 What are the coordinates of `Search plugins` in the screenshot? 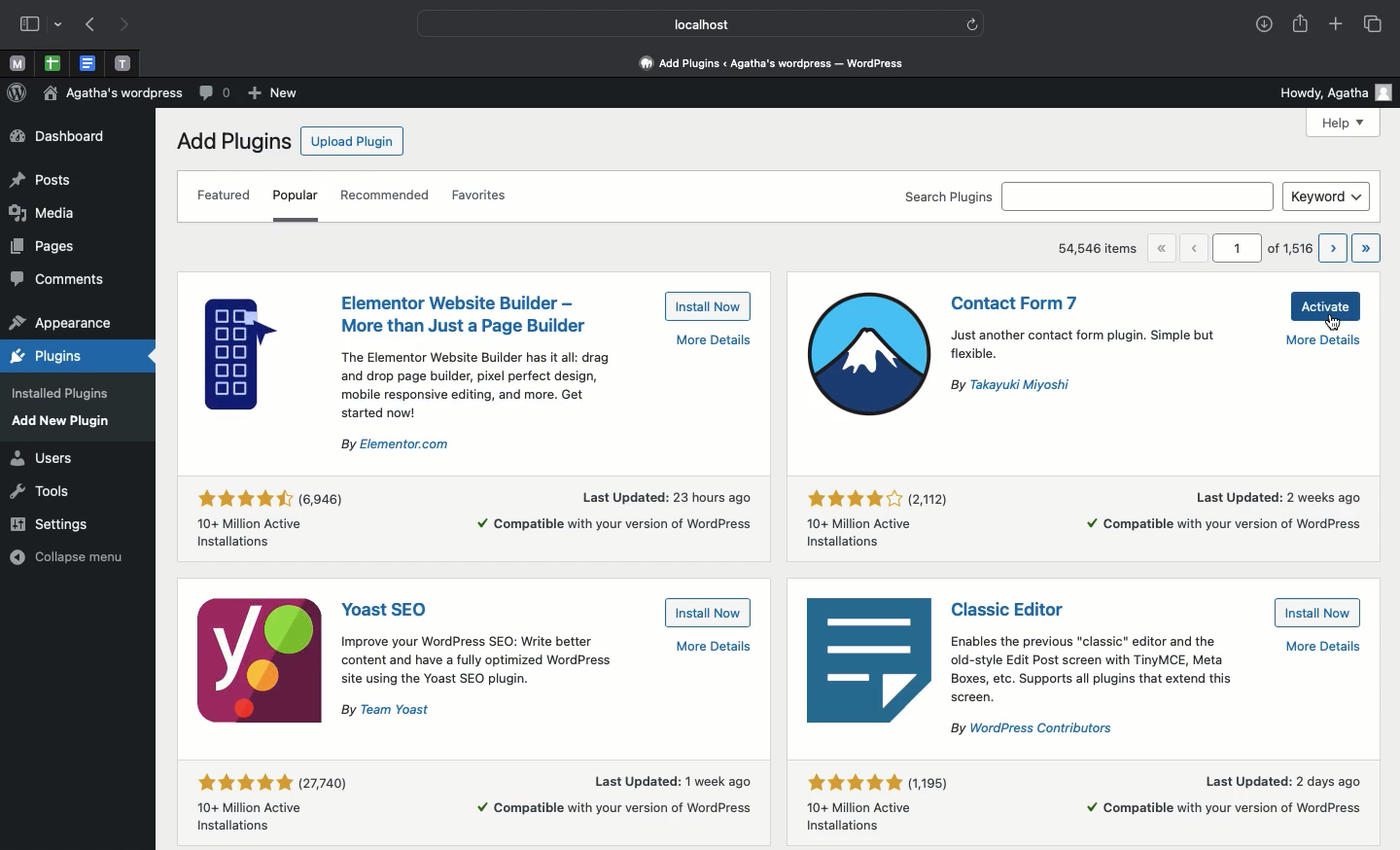 It's located at (948, 195).